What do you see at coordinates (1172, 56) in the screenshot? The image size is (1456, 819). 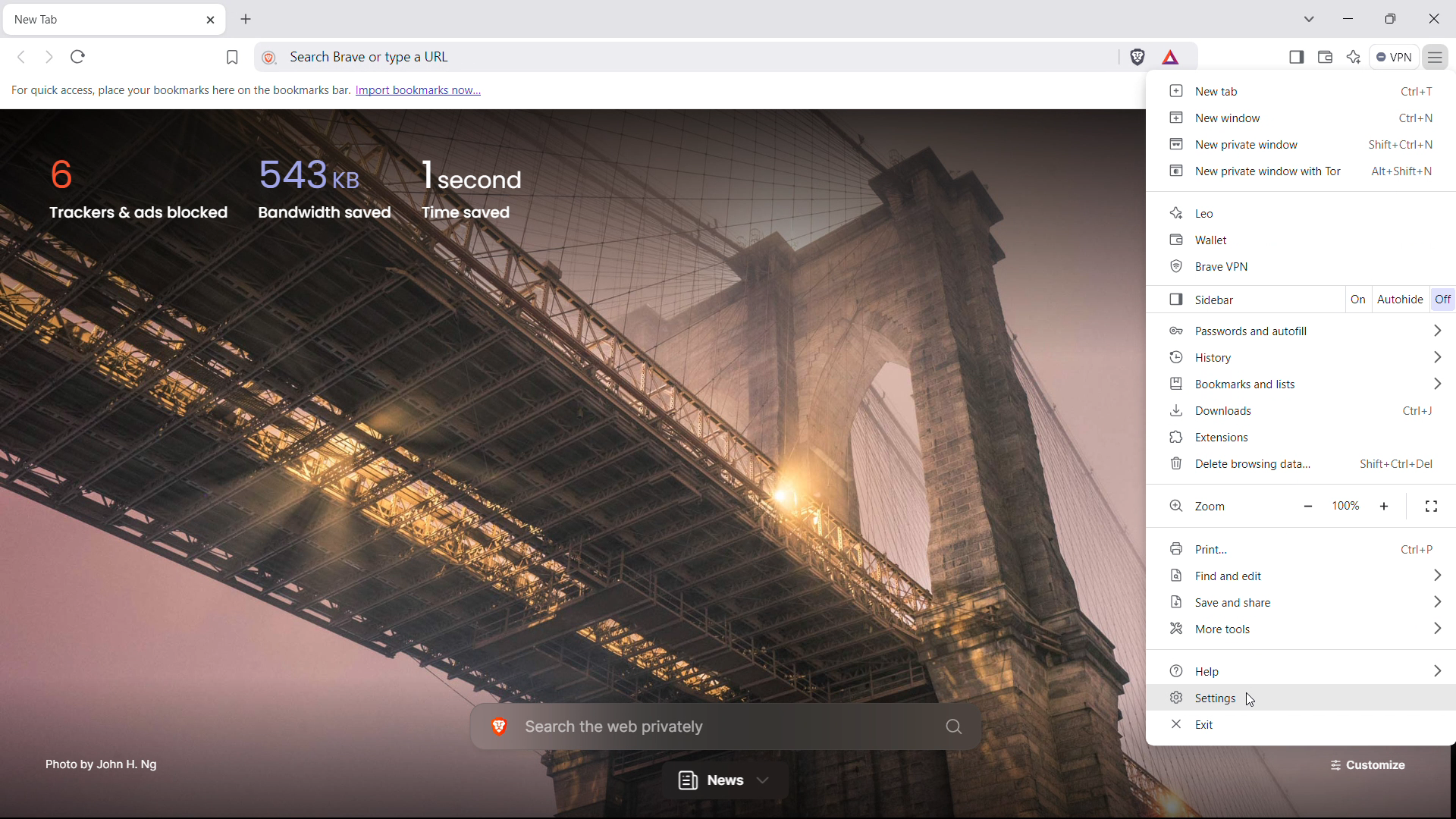 I see `brave rewards` at bounding box center [1172, 56].